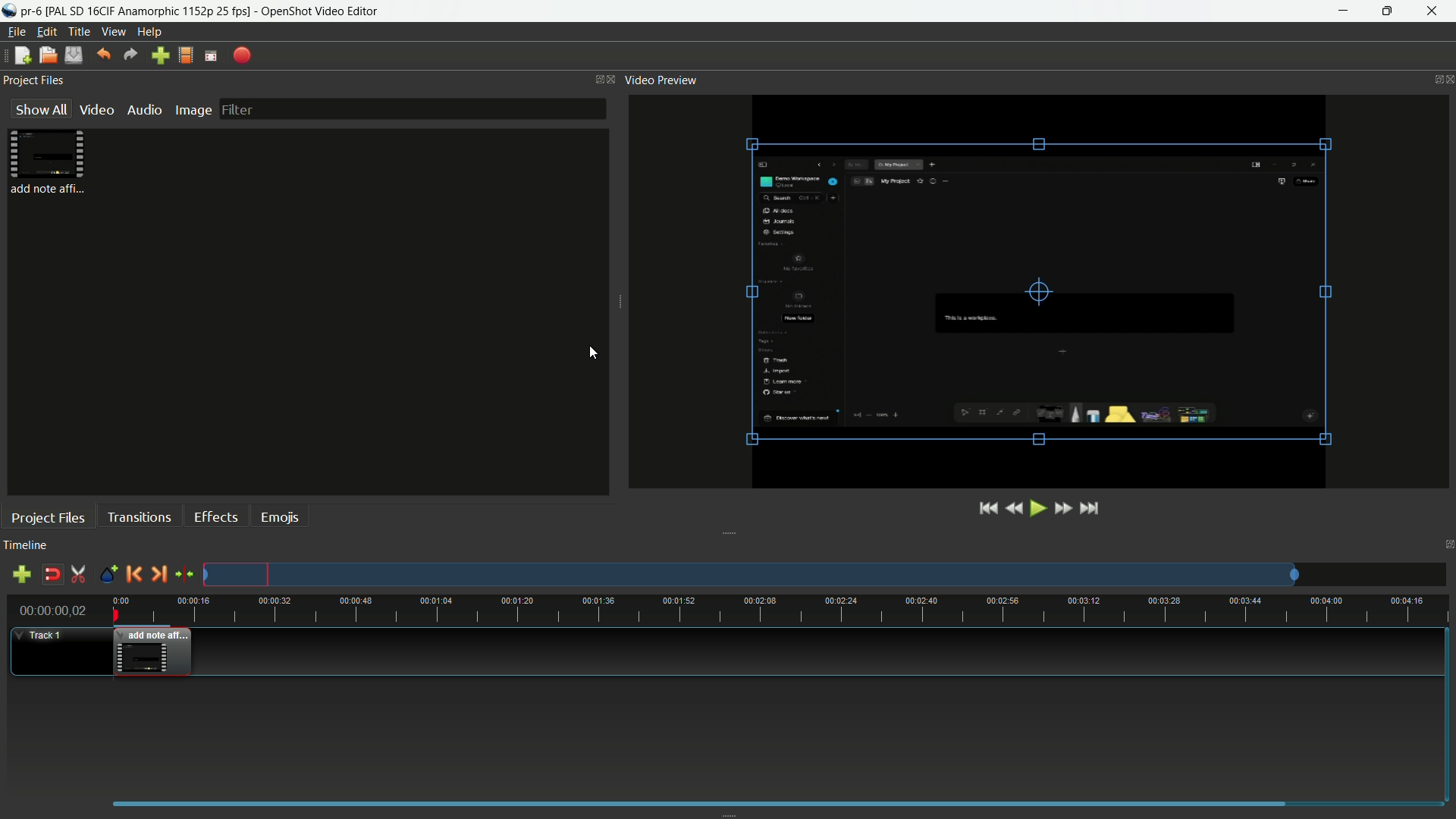  I want to click on change layout, so click(597, 79).